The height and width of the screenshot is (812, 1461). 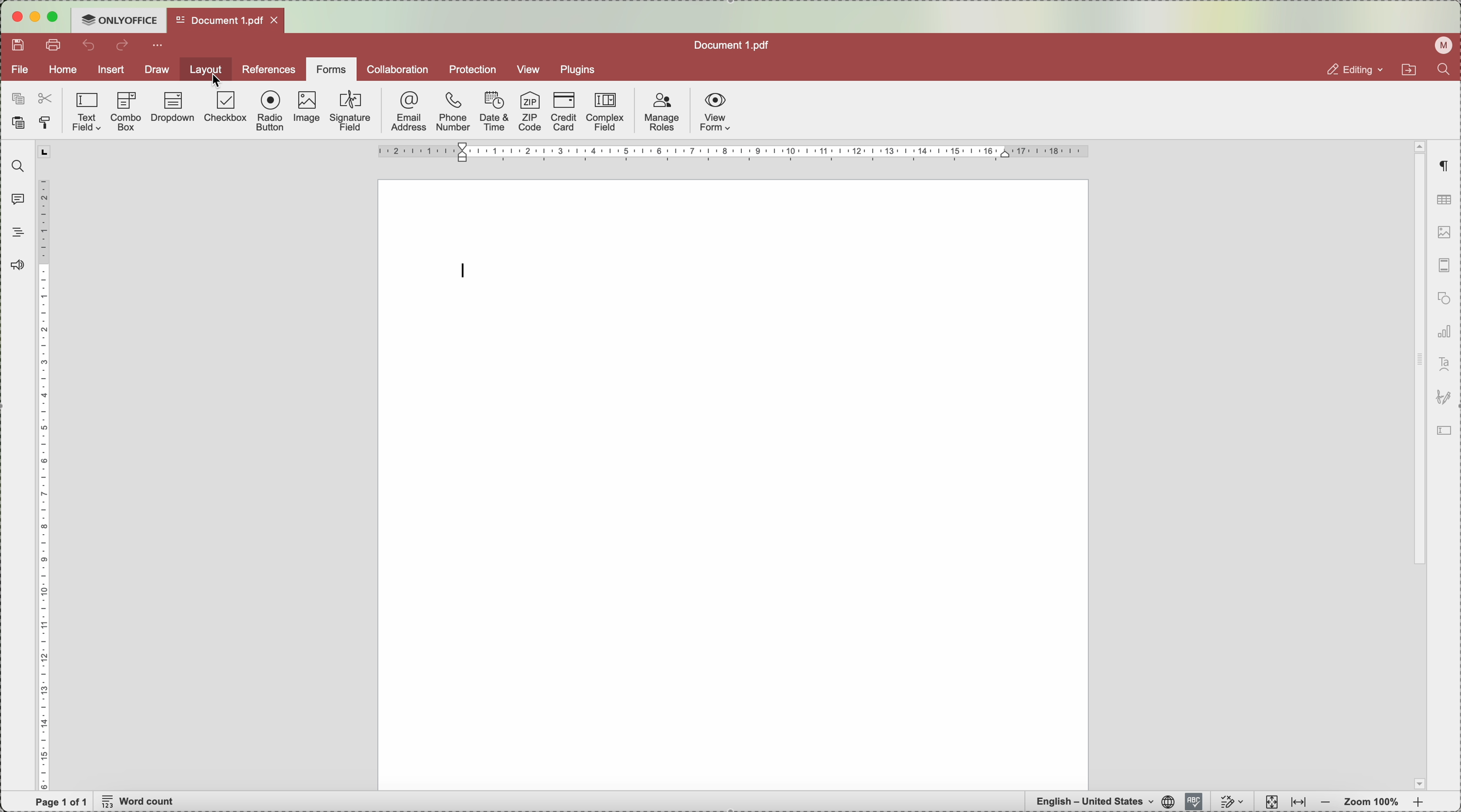 I want to click on print, so click(x=56, y=46).